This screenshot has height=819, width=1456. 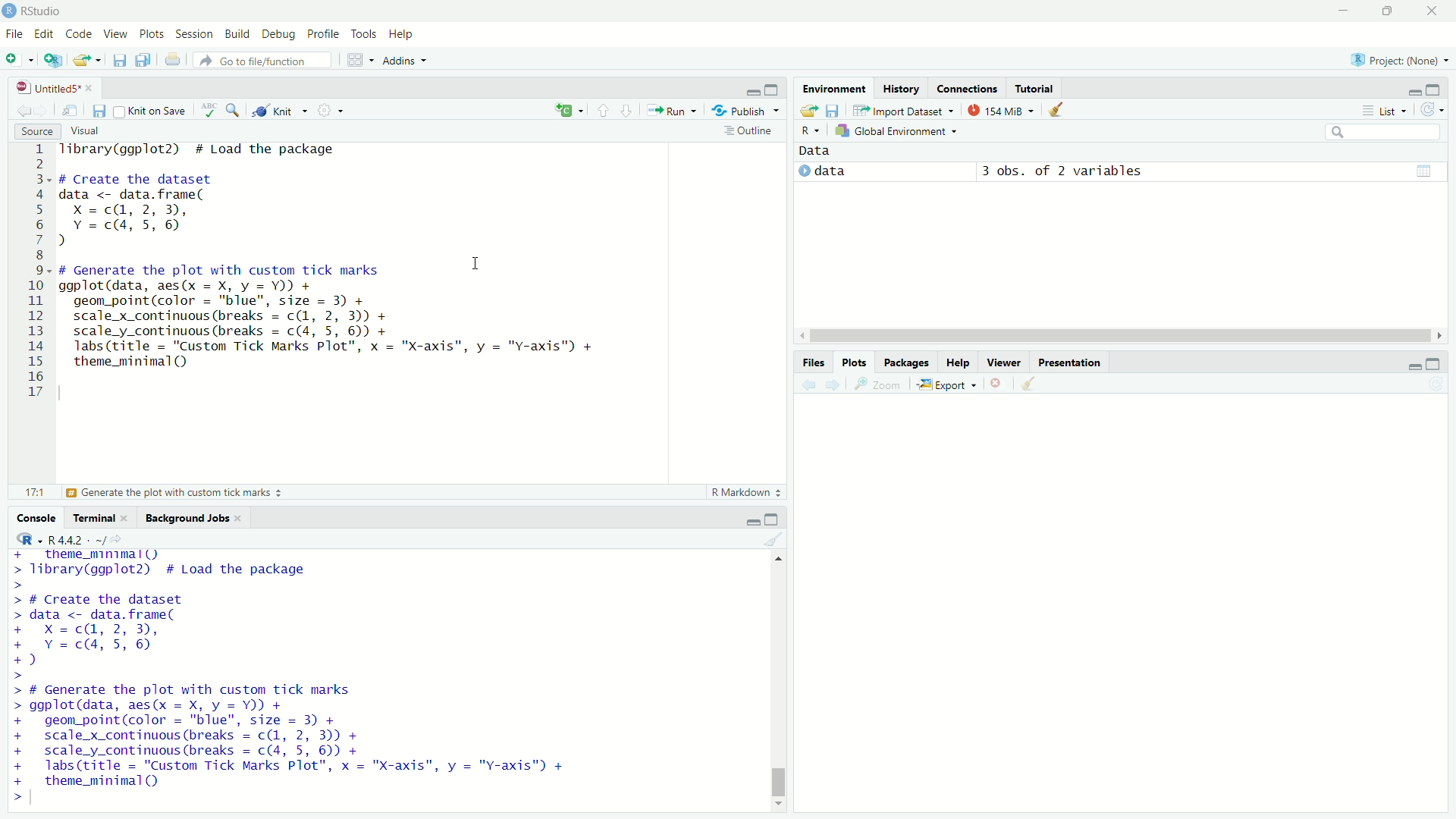 I want to click on move up, so click(x=780, y=563).